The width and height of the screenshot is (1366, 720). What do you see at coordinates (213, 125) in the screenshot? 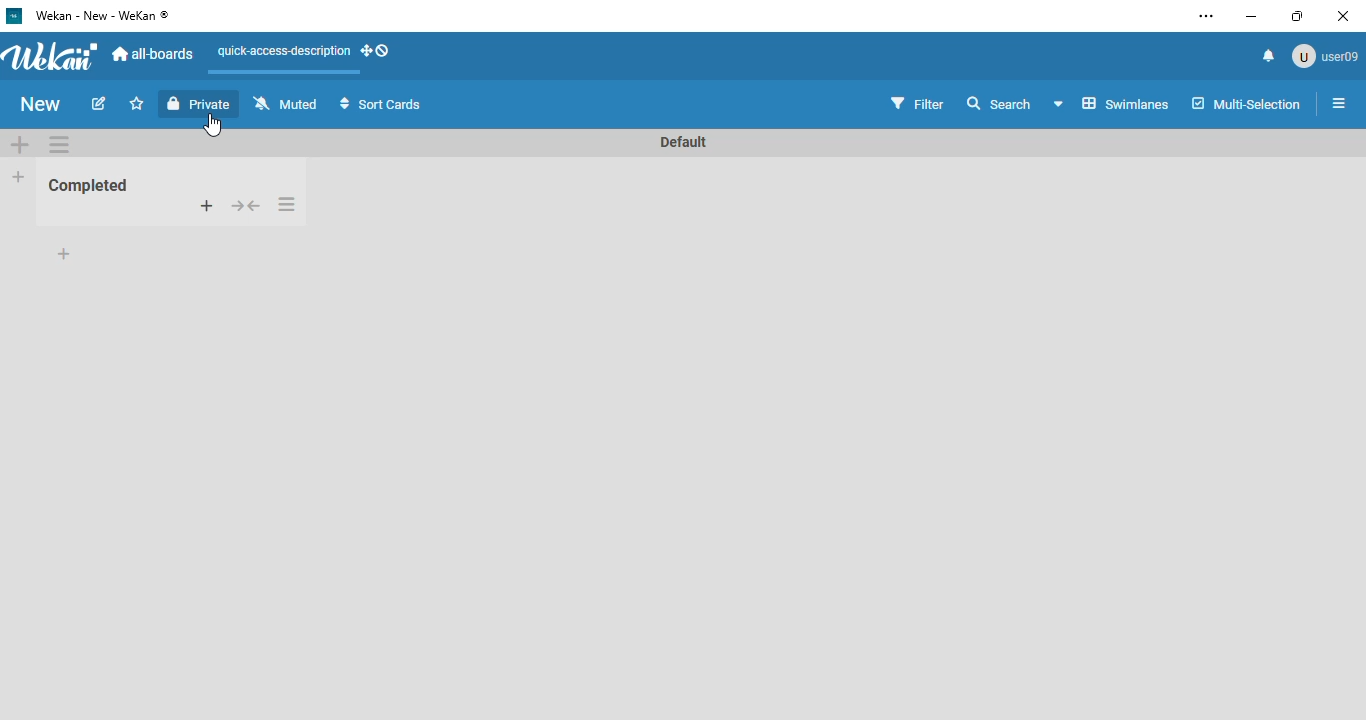
I see `cursor` at bounding box center [213, 125].